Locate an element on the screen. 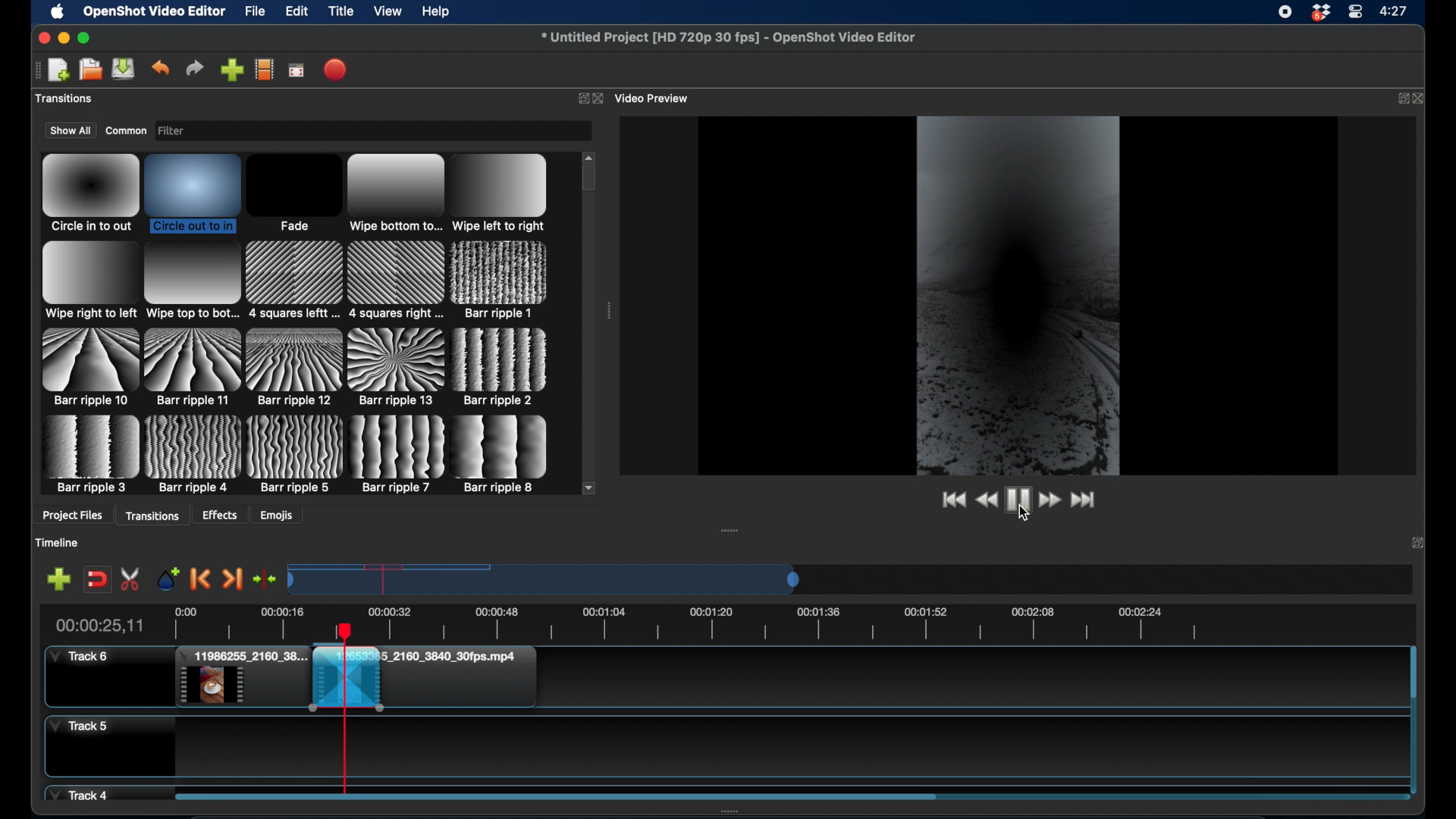 The height and width of the screenshot is (819, 1456). maximize is located at coordinates (84, 38).